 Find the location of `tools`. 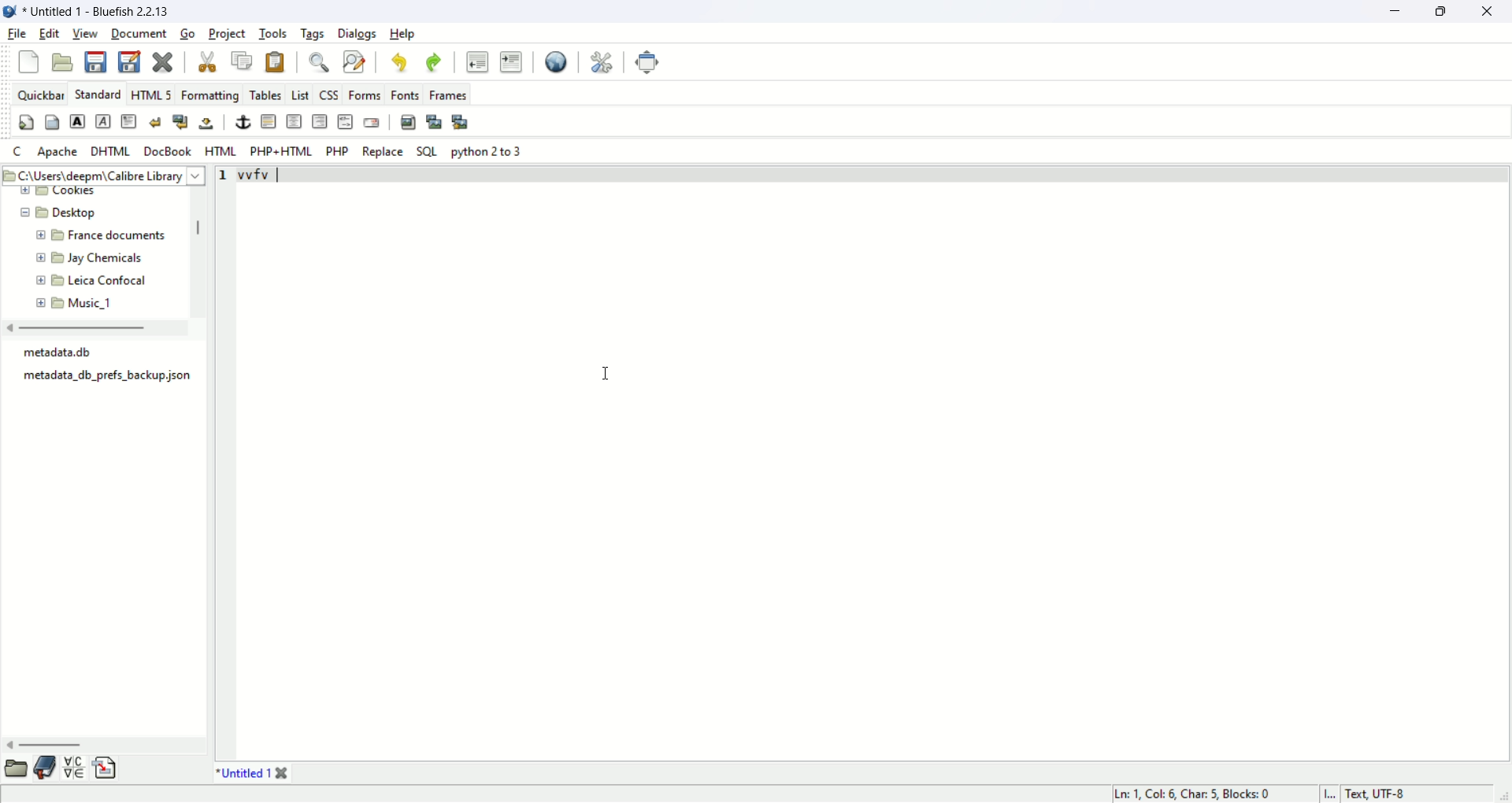

tools is located at coordinates (272, 35).